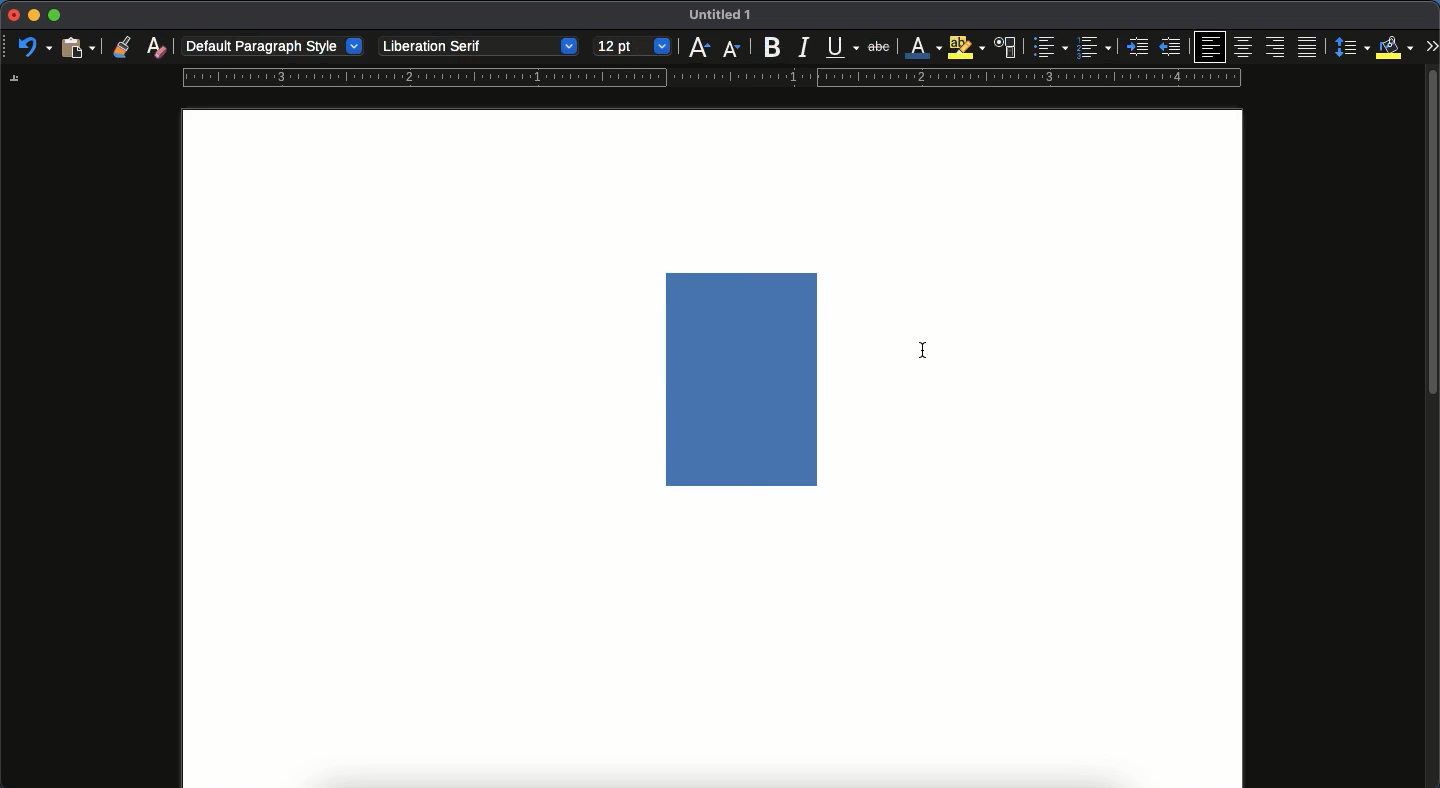 Image resolution: width=1440 pixels, height=788 pixels. What do you see at coordinates (33, 15) in the screenshot?
I see `minimize` at bounding box center [33, 15].